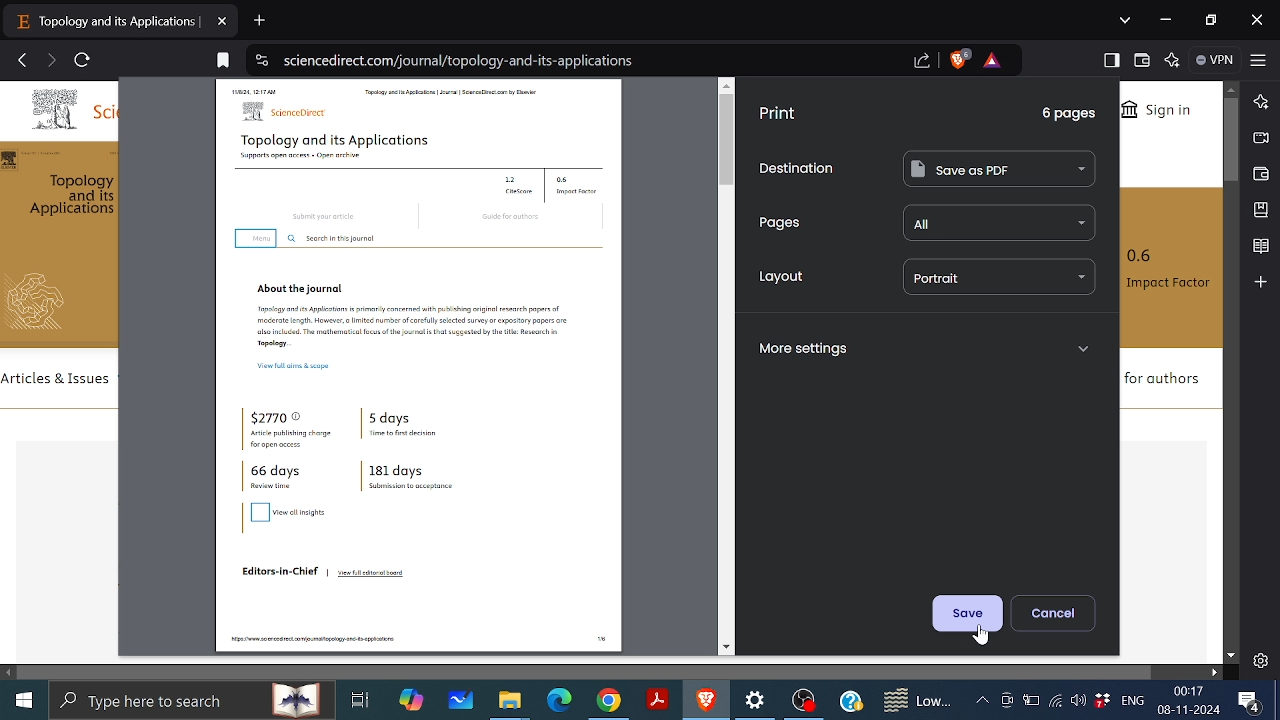 The height and width of the screenshot is (720, 1280). I want to click on Meet now, so click(1007, 699).